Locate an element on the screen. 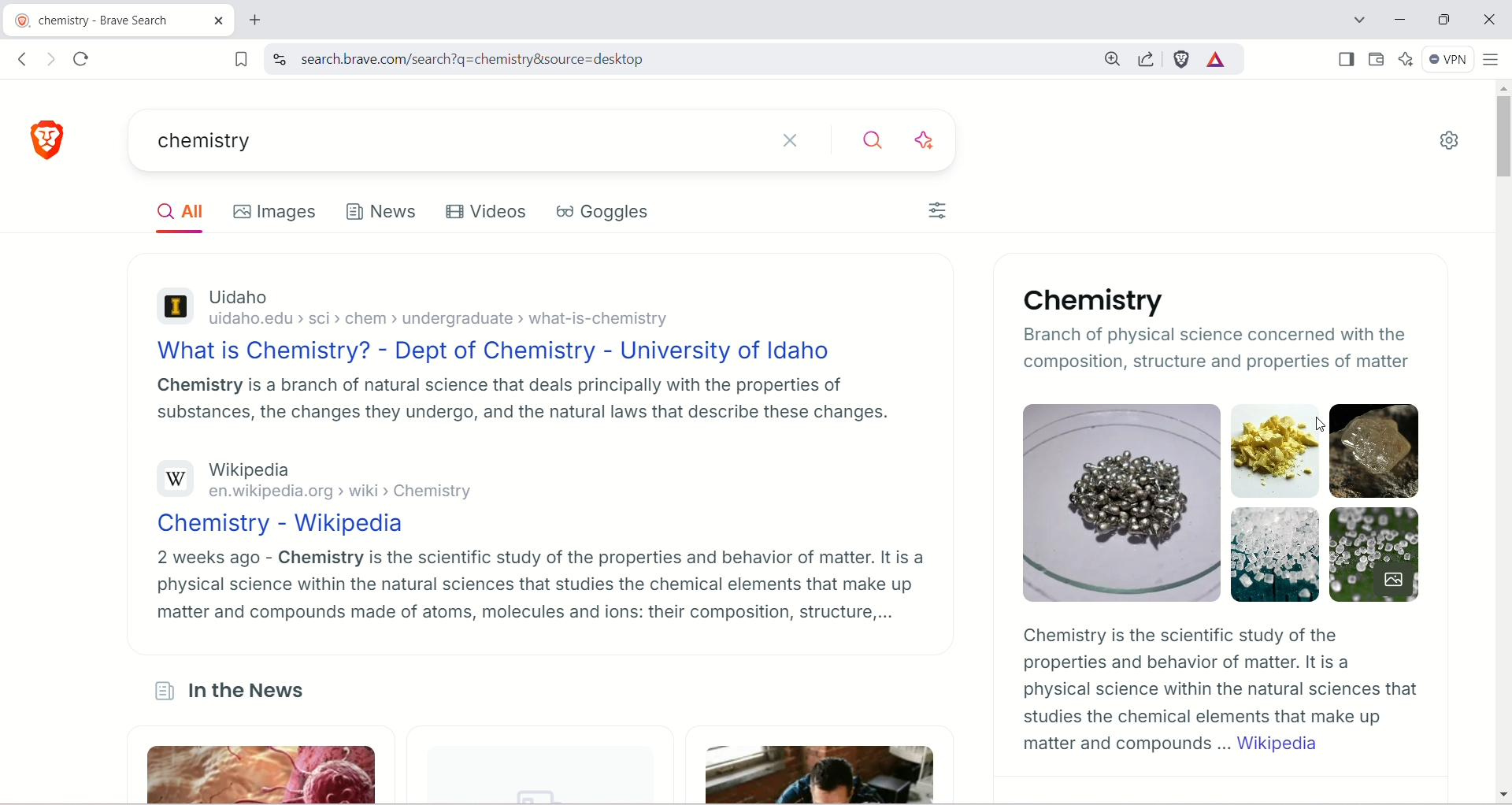  close is located at coordinates (1492, 20).